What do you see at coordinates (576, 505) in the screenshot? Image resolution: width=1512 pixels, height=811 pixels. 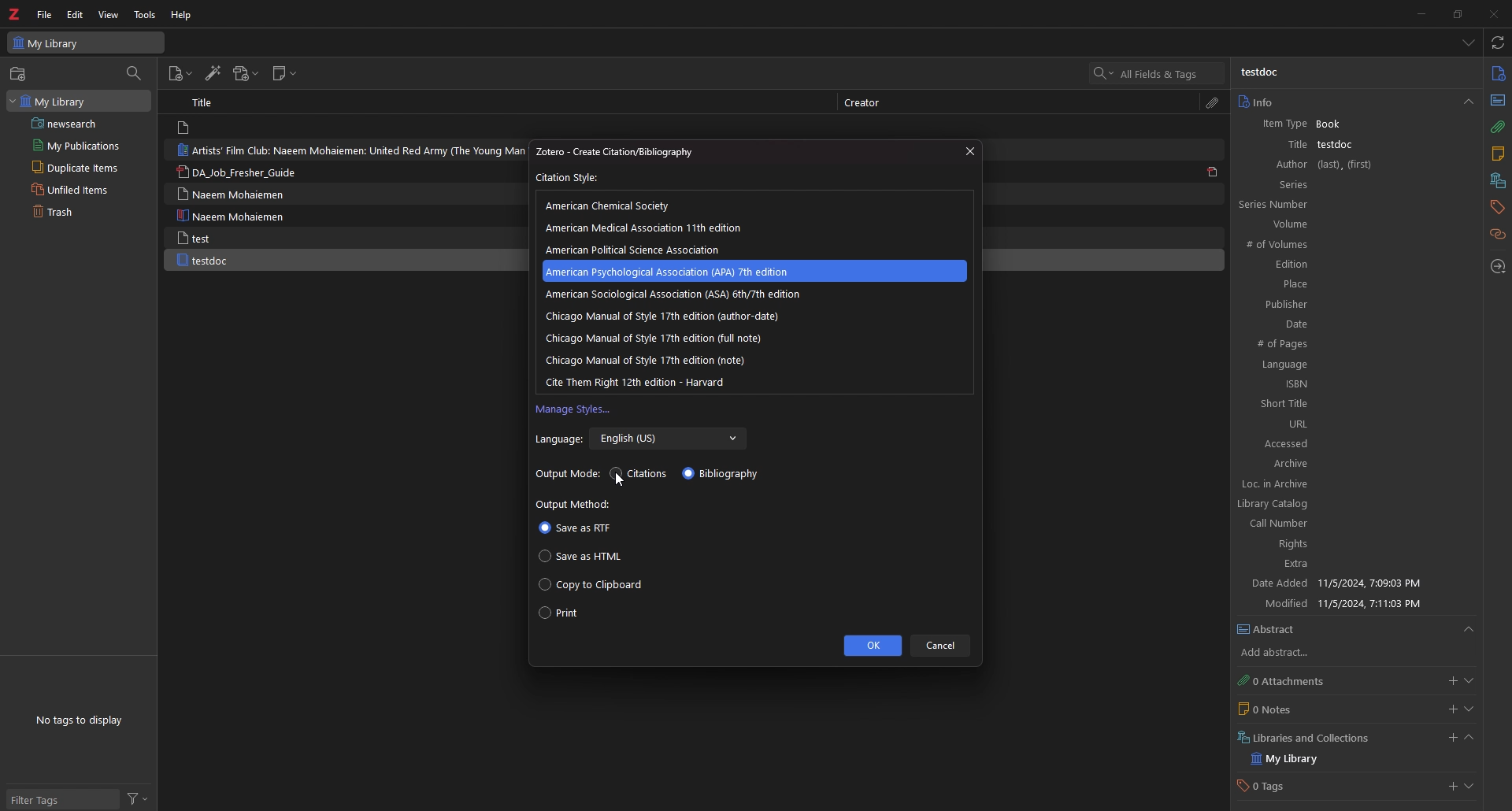 I see `Output method:` at bounding box center [576, 505].